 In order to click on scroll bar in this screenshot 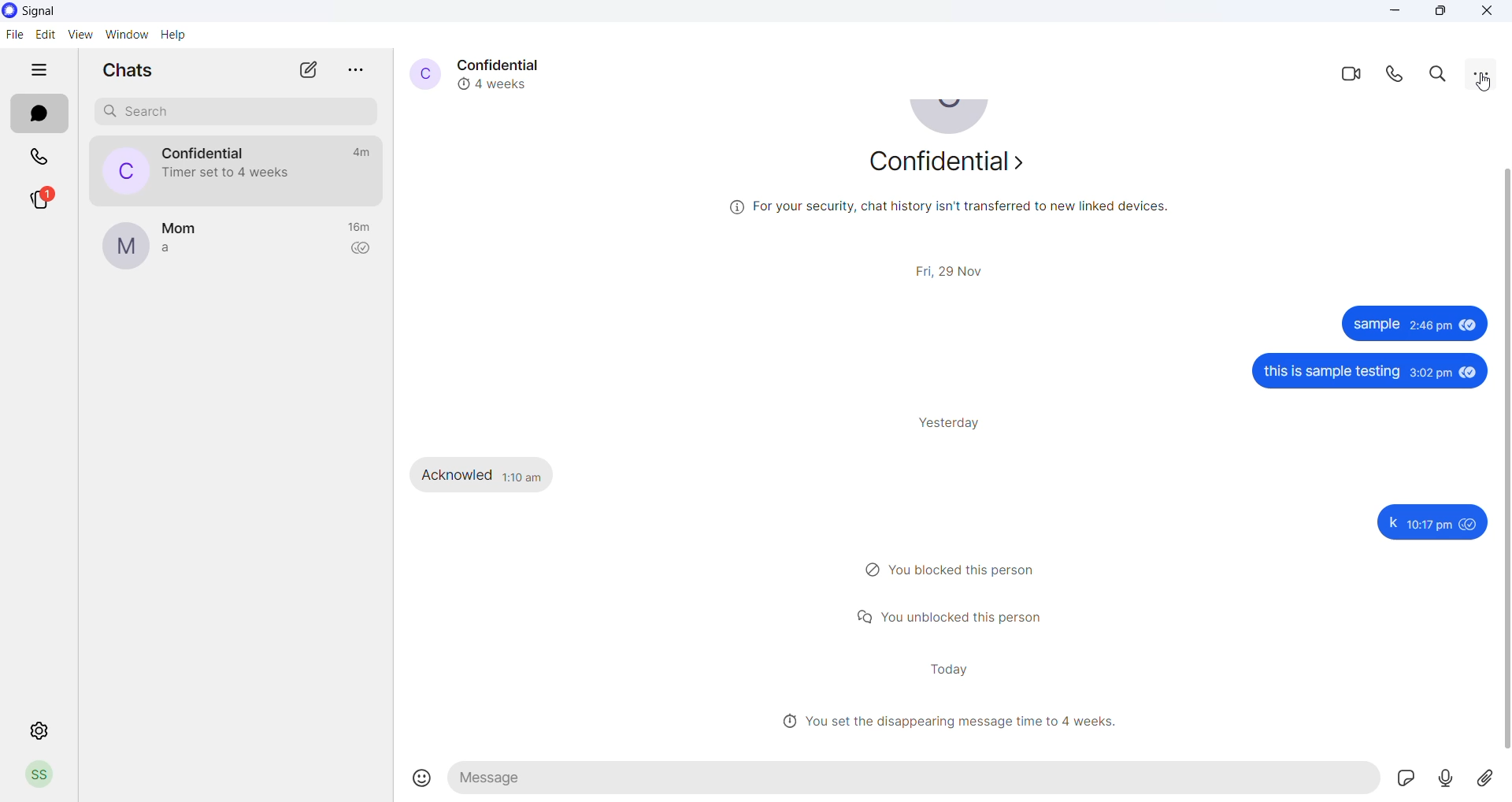, I will do `click(1503, 462)`.